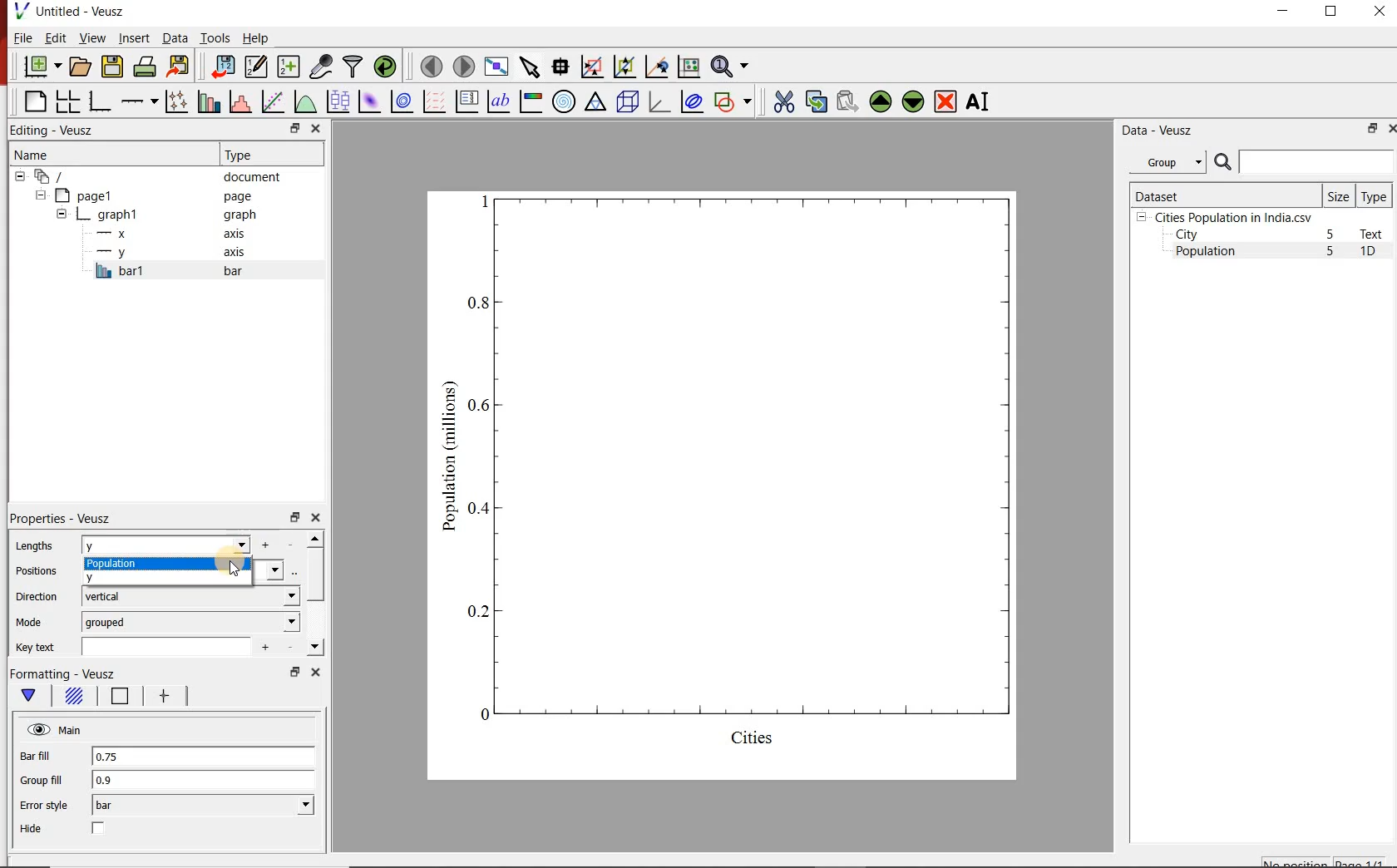 The width and height of the screenshot is (1397, 868). Describe the element at coordinates (529, 66) in the screenshot. I see `select items from the graph or scroll` at that location.